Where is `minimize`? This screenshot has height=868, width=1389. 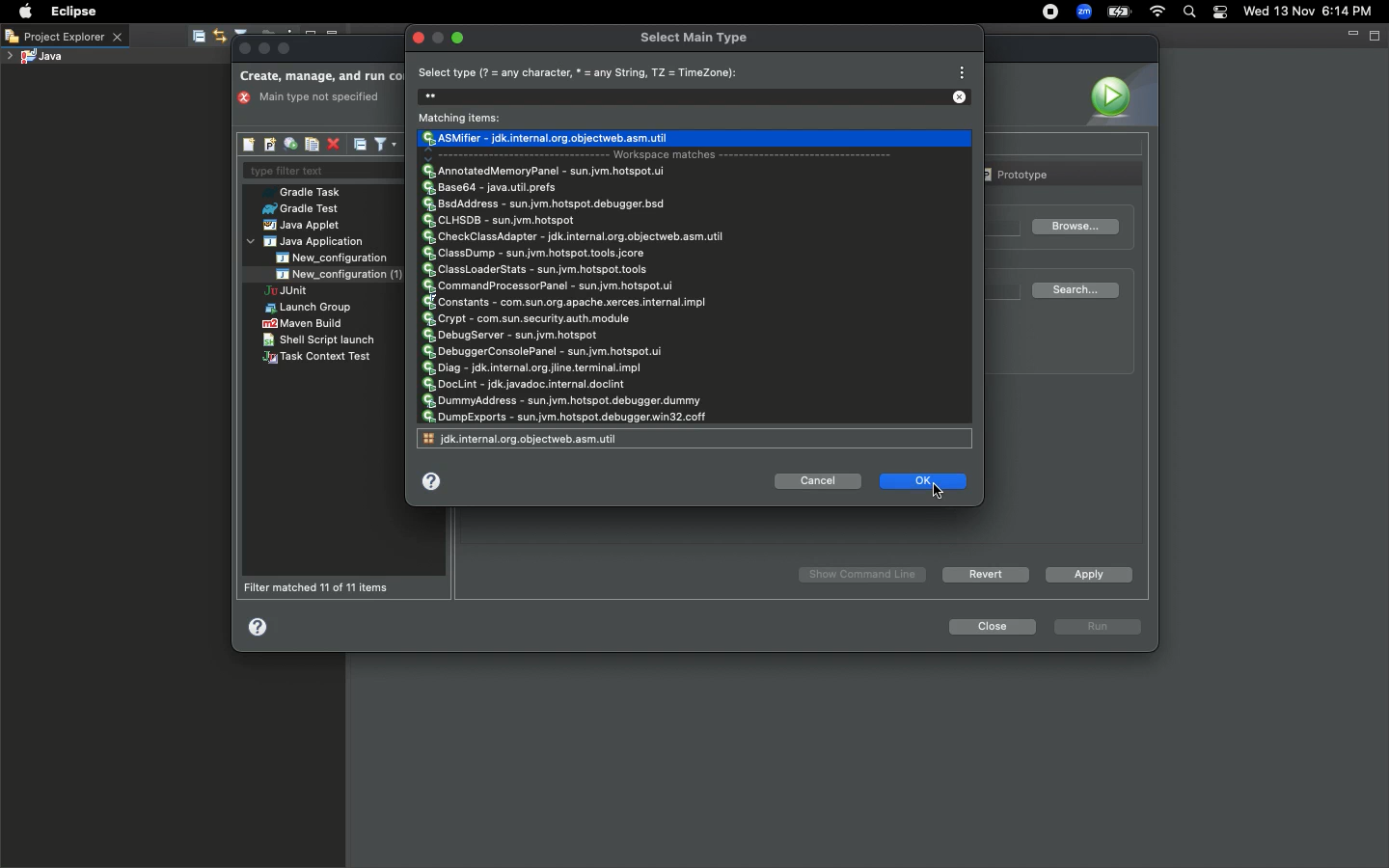
minimize is located at coordinates (440, 38).